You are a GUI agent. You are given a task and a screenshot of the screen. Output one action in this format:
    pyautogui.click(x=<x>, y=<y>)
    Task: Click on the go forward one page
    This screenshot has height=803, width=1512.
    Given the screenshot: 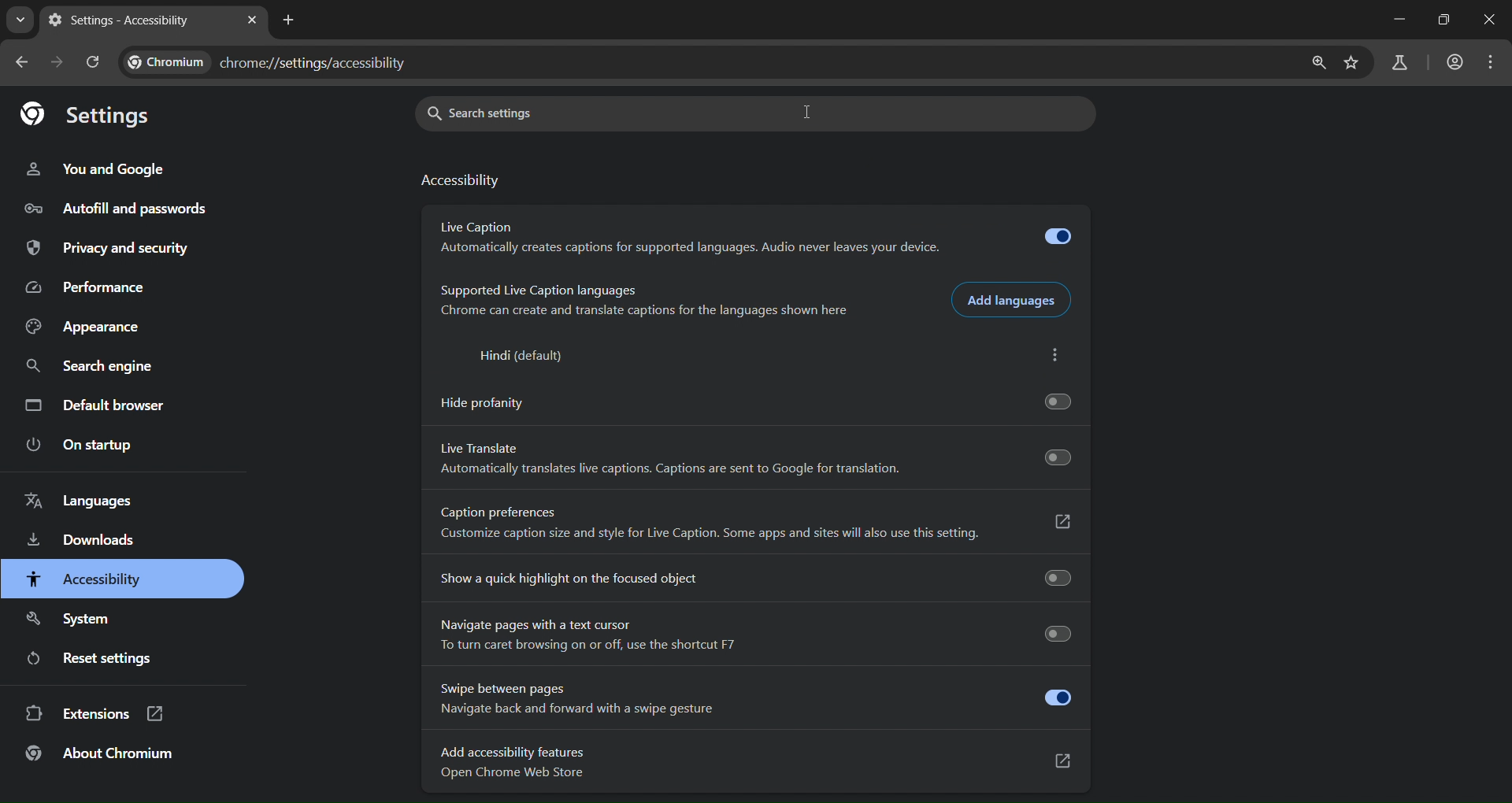 What is the action you would take?
    pyautogui.click(x=58, y=61)
    